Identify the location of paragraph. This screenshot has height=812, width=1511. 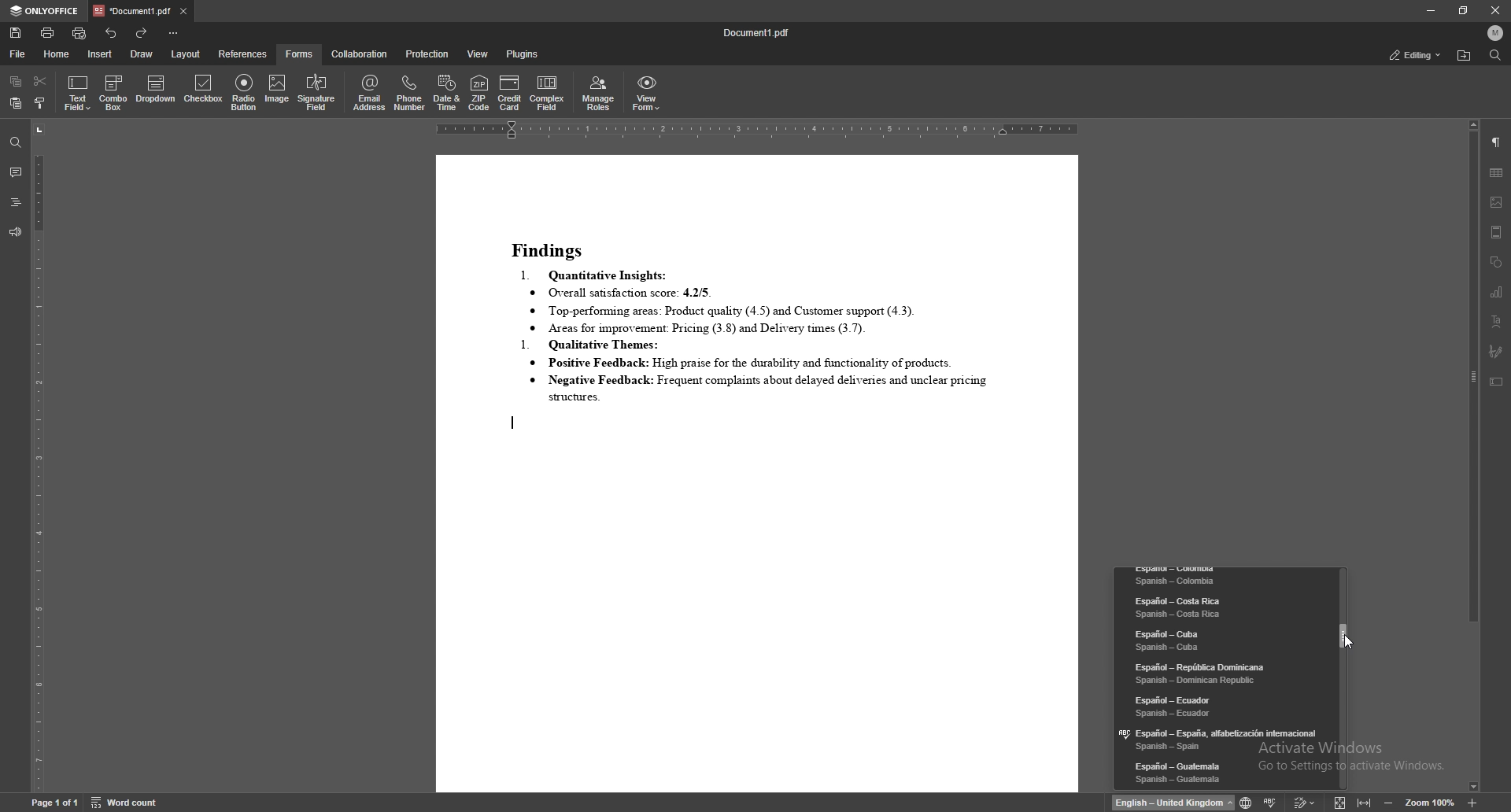
(1495, 142).